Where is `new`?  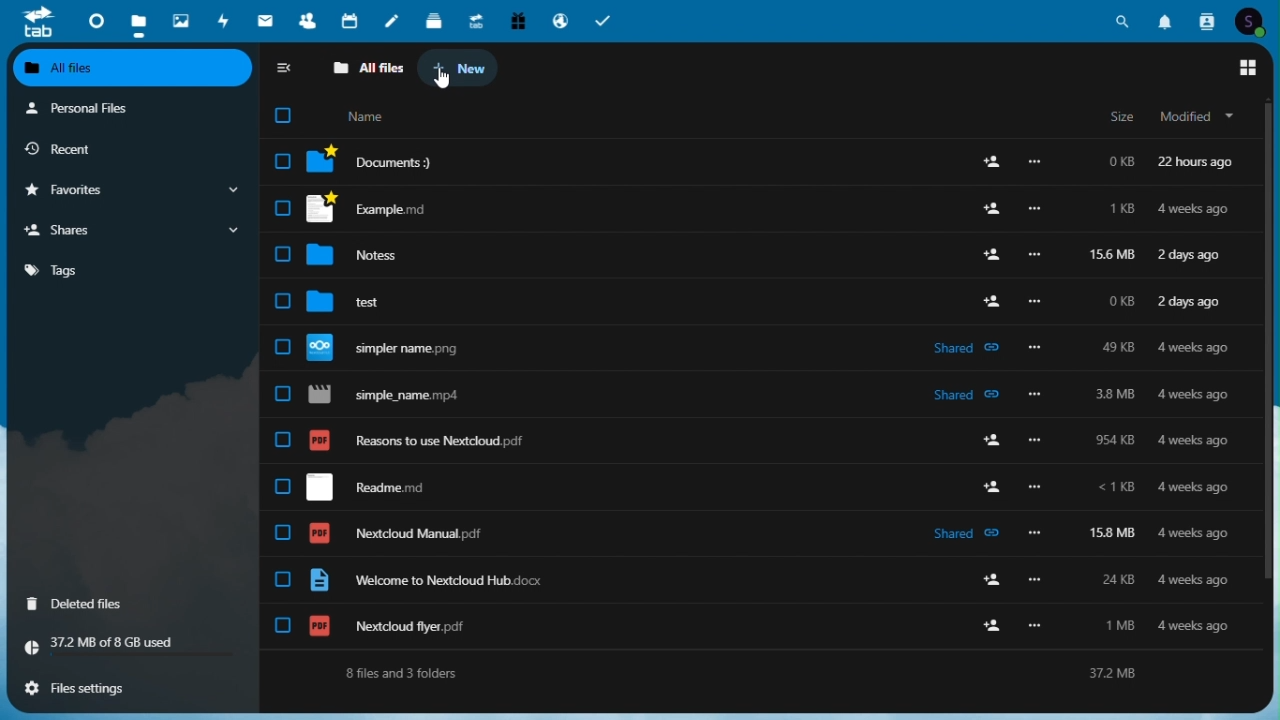 new is located at coordinates (460, 67).